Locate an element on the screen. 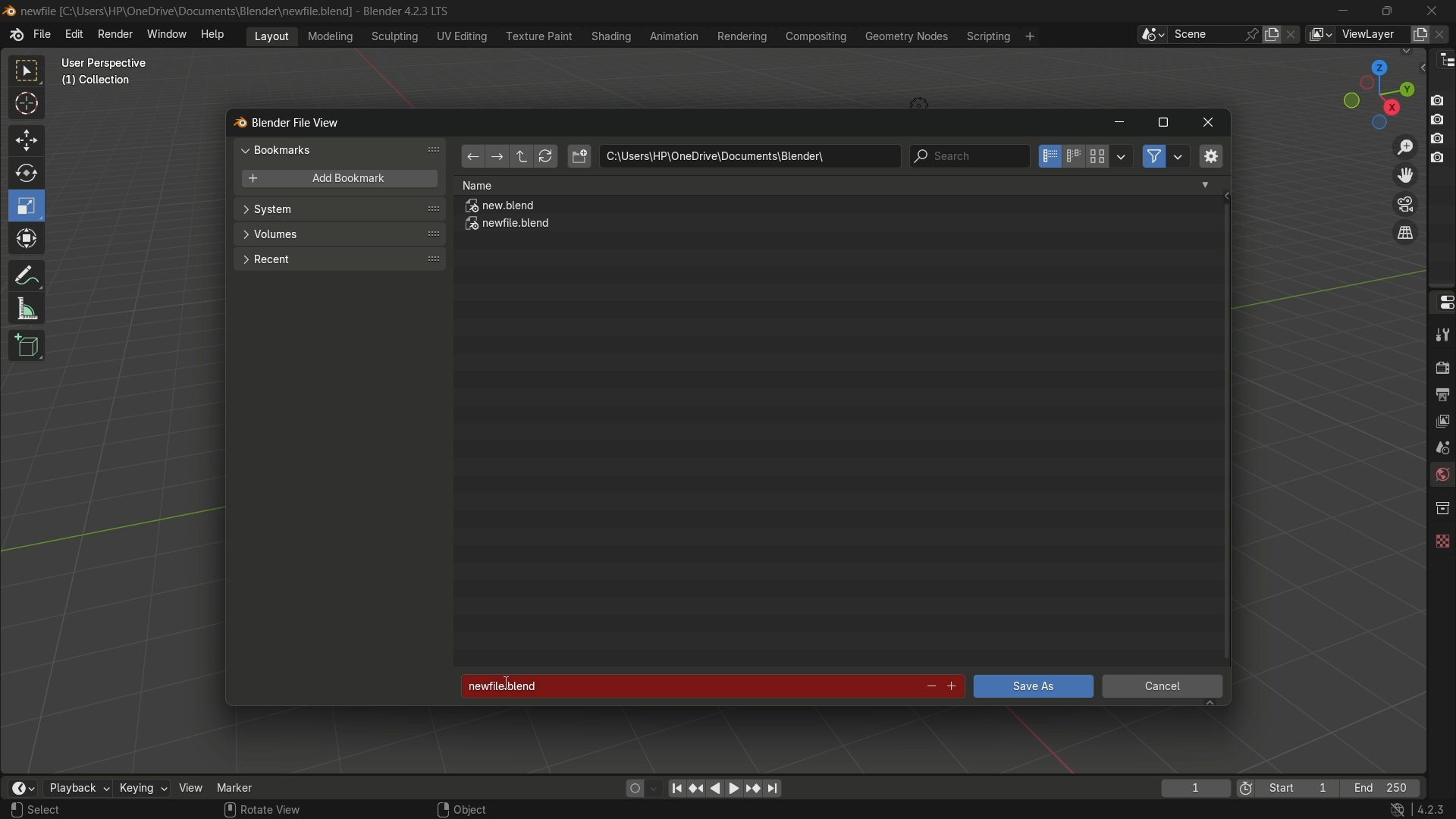  help menu is located at coordinates (216, 34).